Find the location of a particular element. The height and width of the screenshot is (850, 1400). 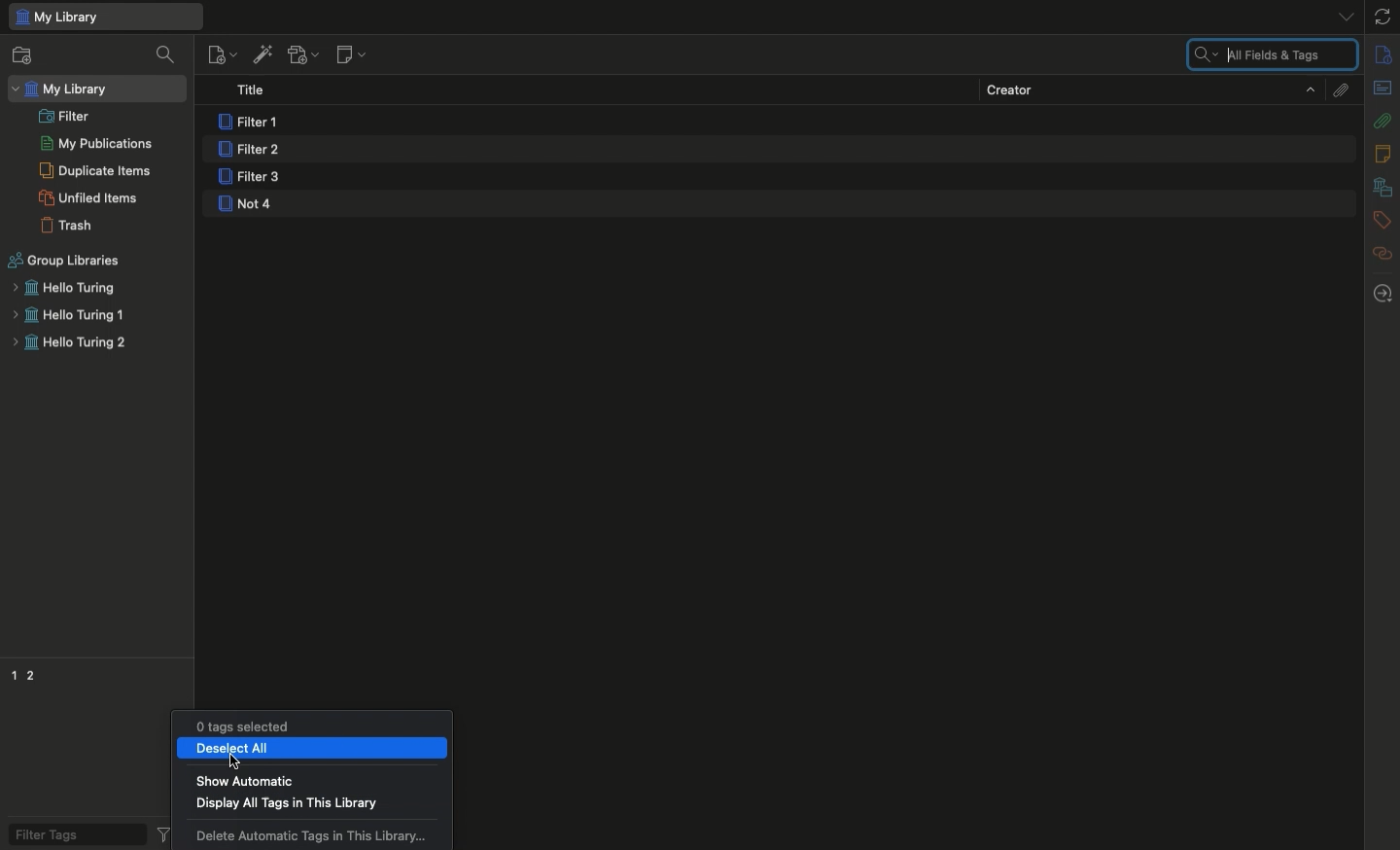

Hello turing 1 is located at coordinates (68, 316).